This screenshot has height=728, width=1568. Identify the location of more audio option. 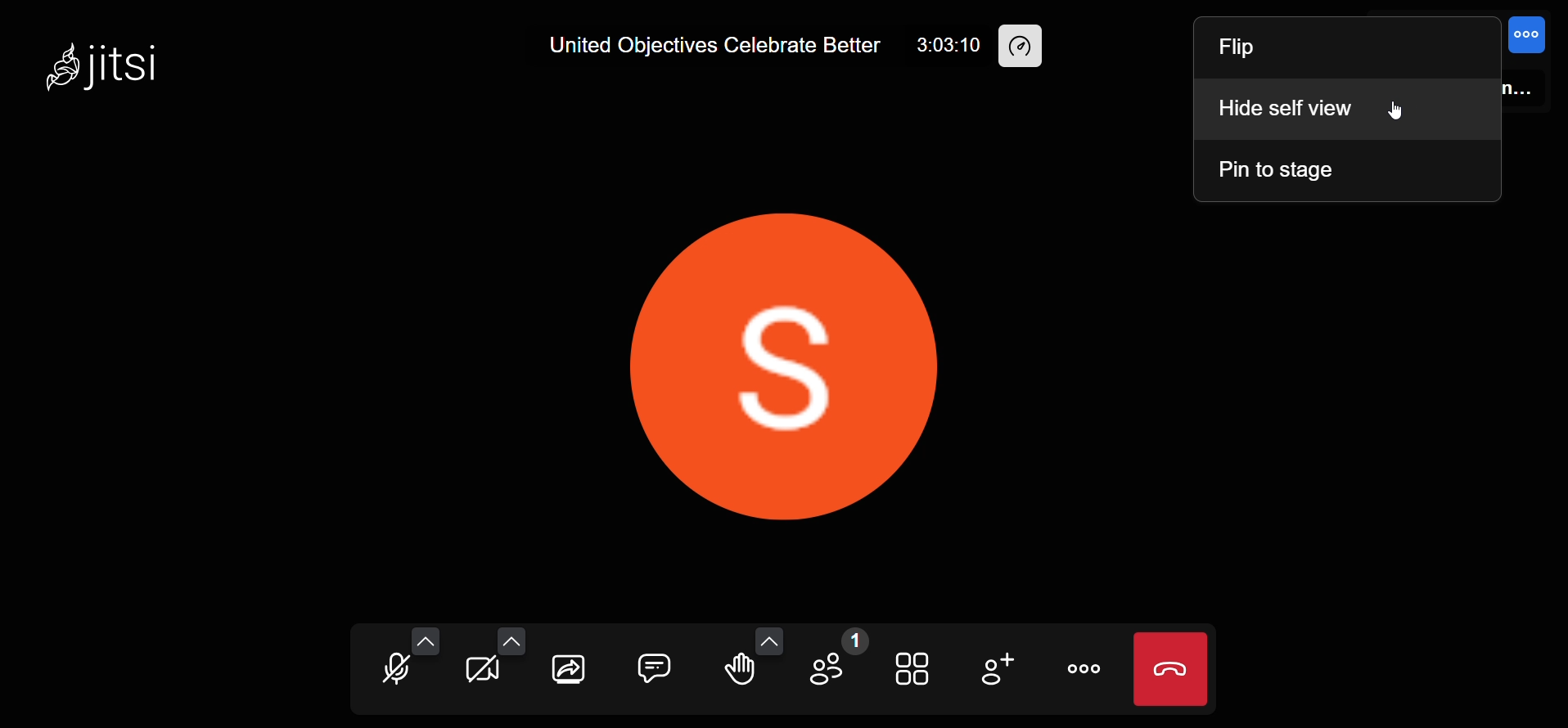
(428, 640).